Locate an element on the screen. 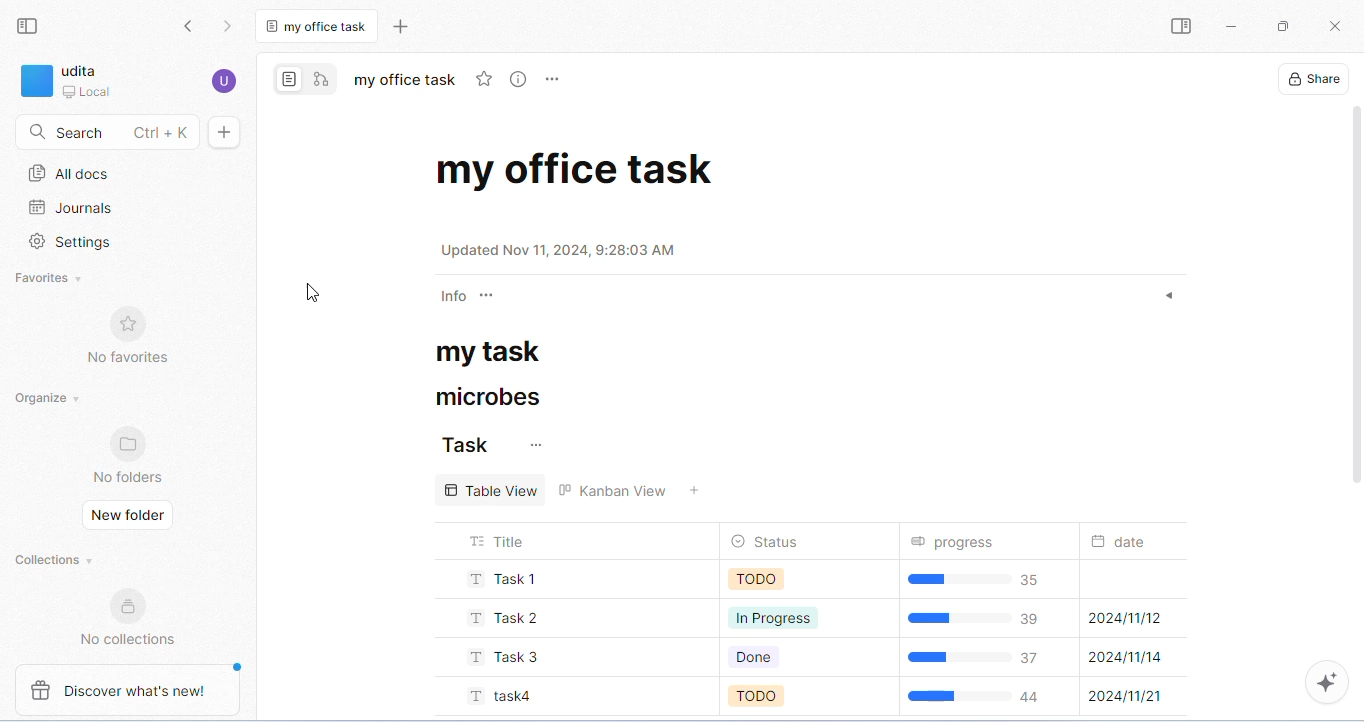  organize is located at coordinates (51, 397).